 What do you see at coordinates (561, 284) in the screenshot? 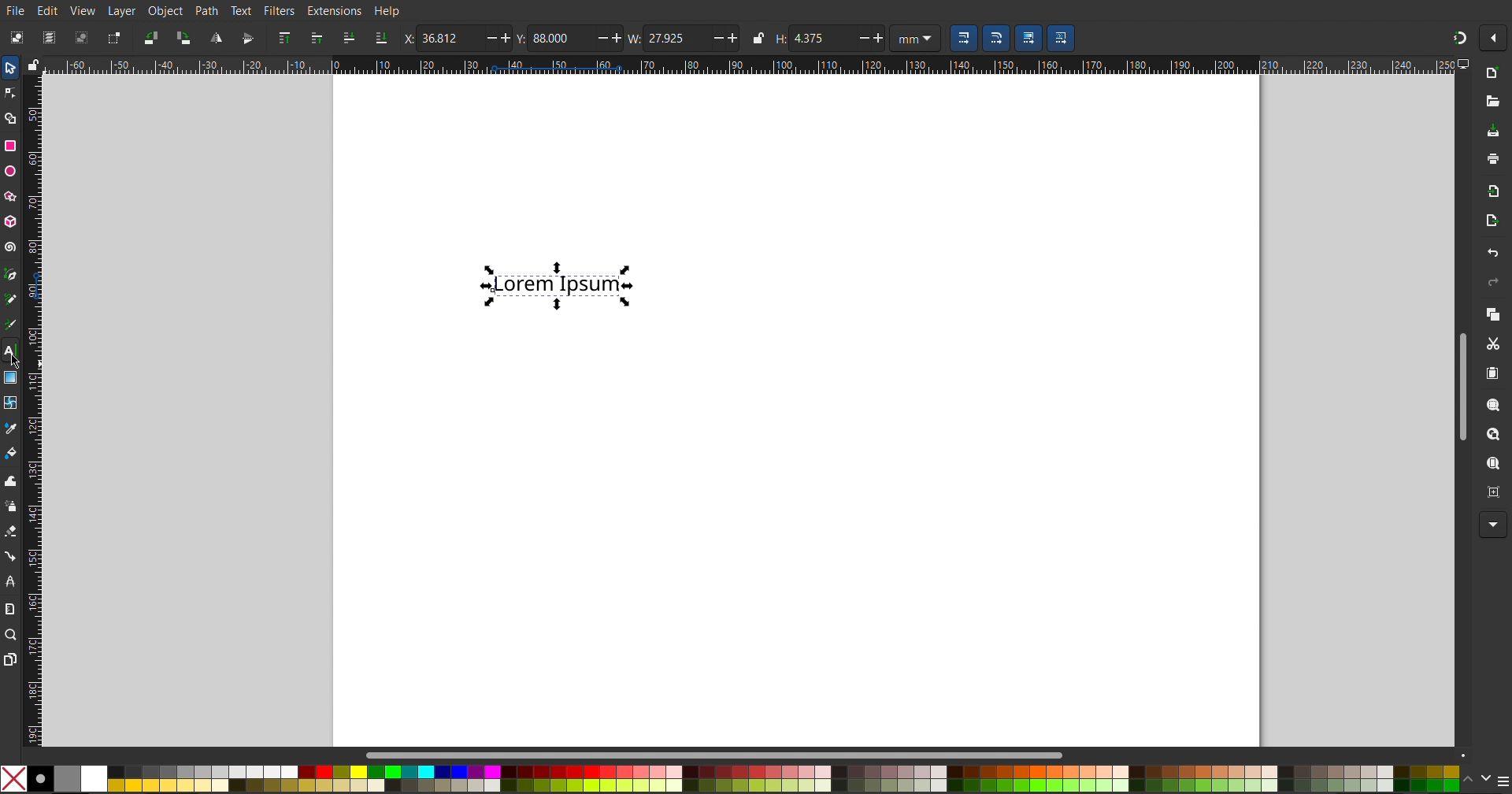
I see `Lorem Ipsum` at bounding box center [561, 284].